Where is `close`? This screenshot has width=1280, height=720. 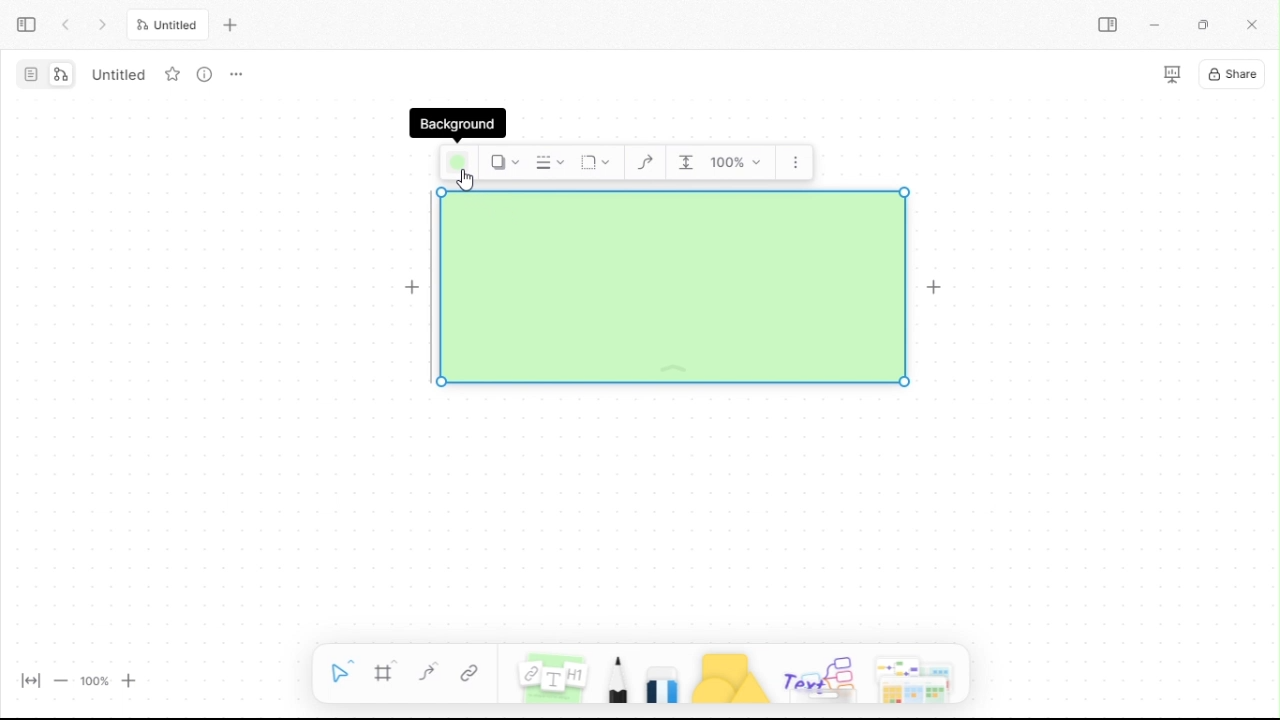
close is located at coordinates (1255, 25).